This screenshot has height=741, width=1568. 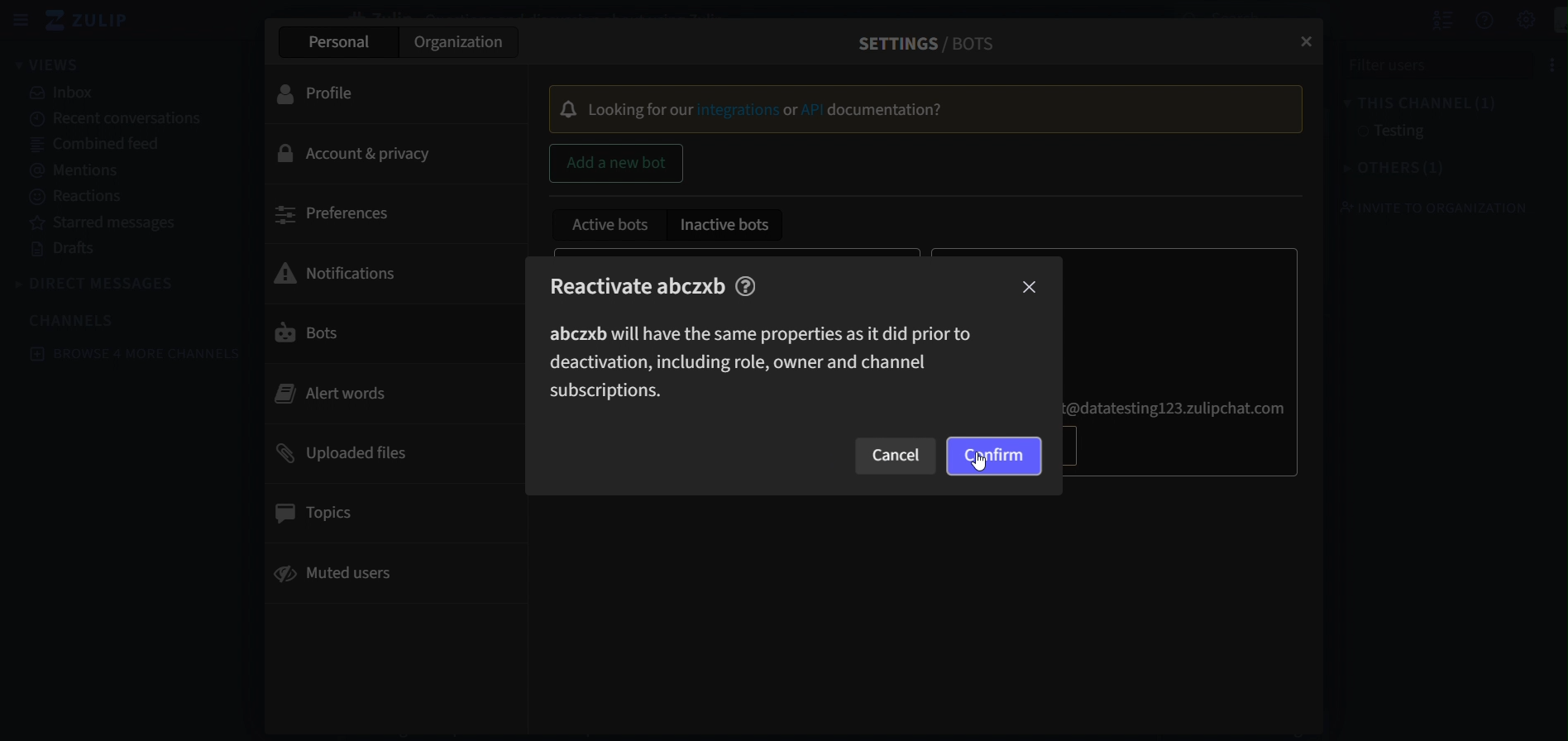 I want to click on inactive bots, so click(x=726, y=227).